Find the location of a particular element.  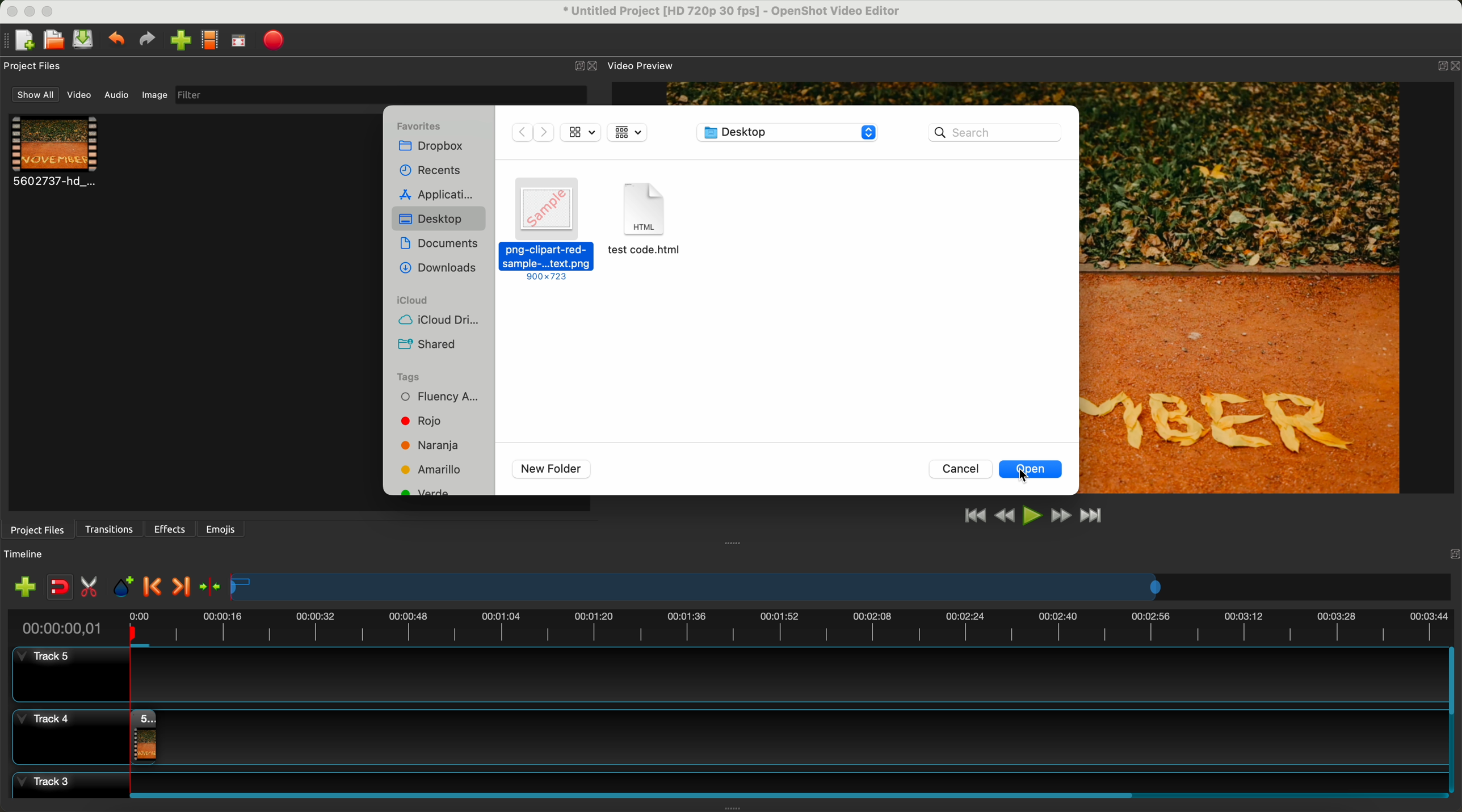

next marker is located at coordinates (180, 587).